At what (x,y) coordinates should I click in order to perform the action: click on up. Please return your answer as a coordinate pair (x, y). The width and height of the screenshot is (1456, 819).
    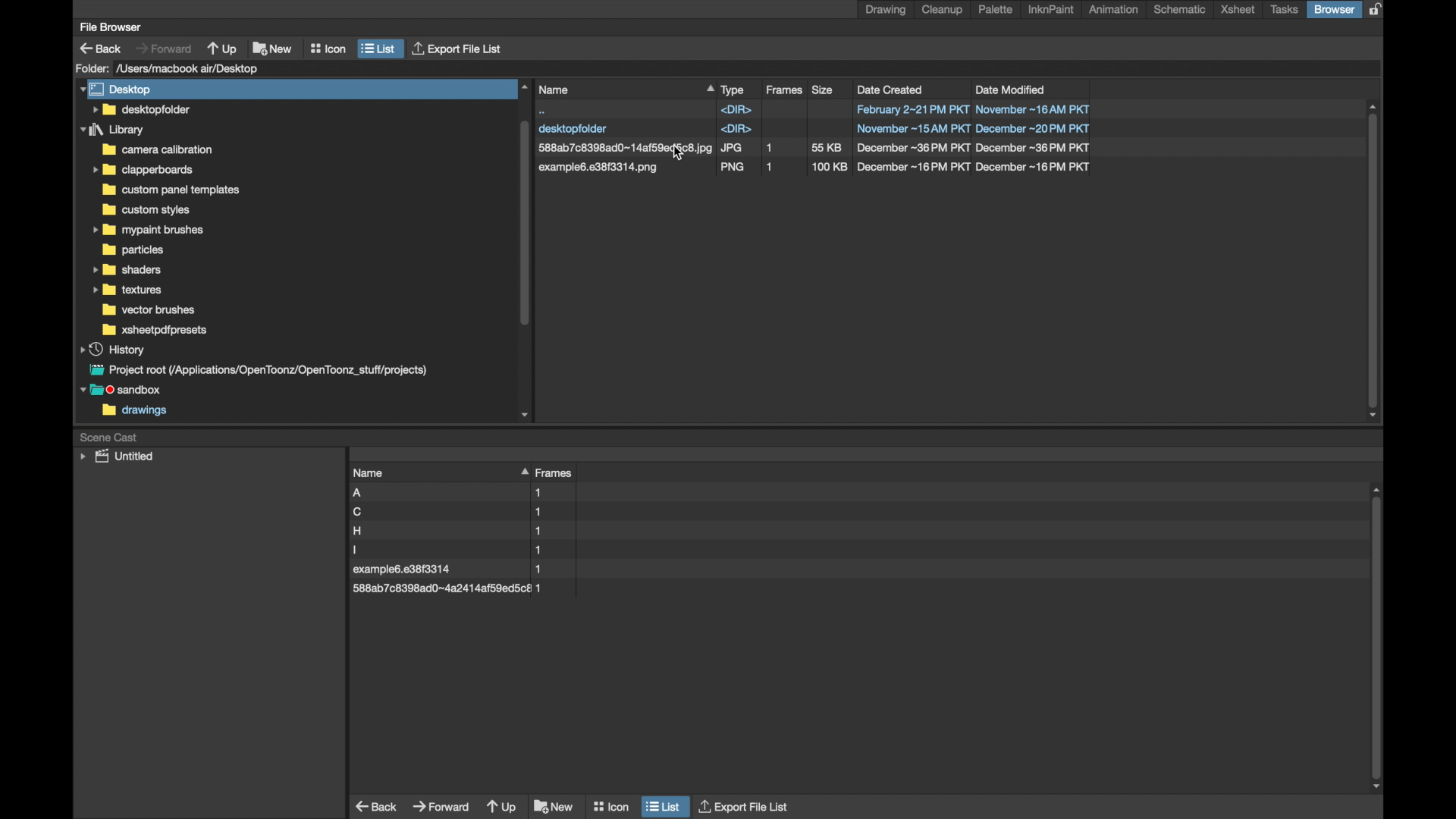
    Looking at the image, I should click on (502, 808).